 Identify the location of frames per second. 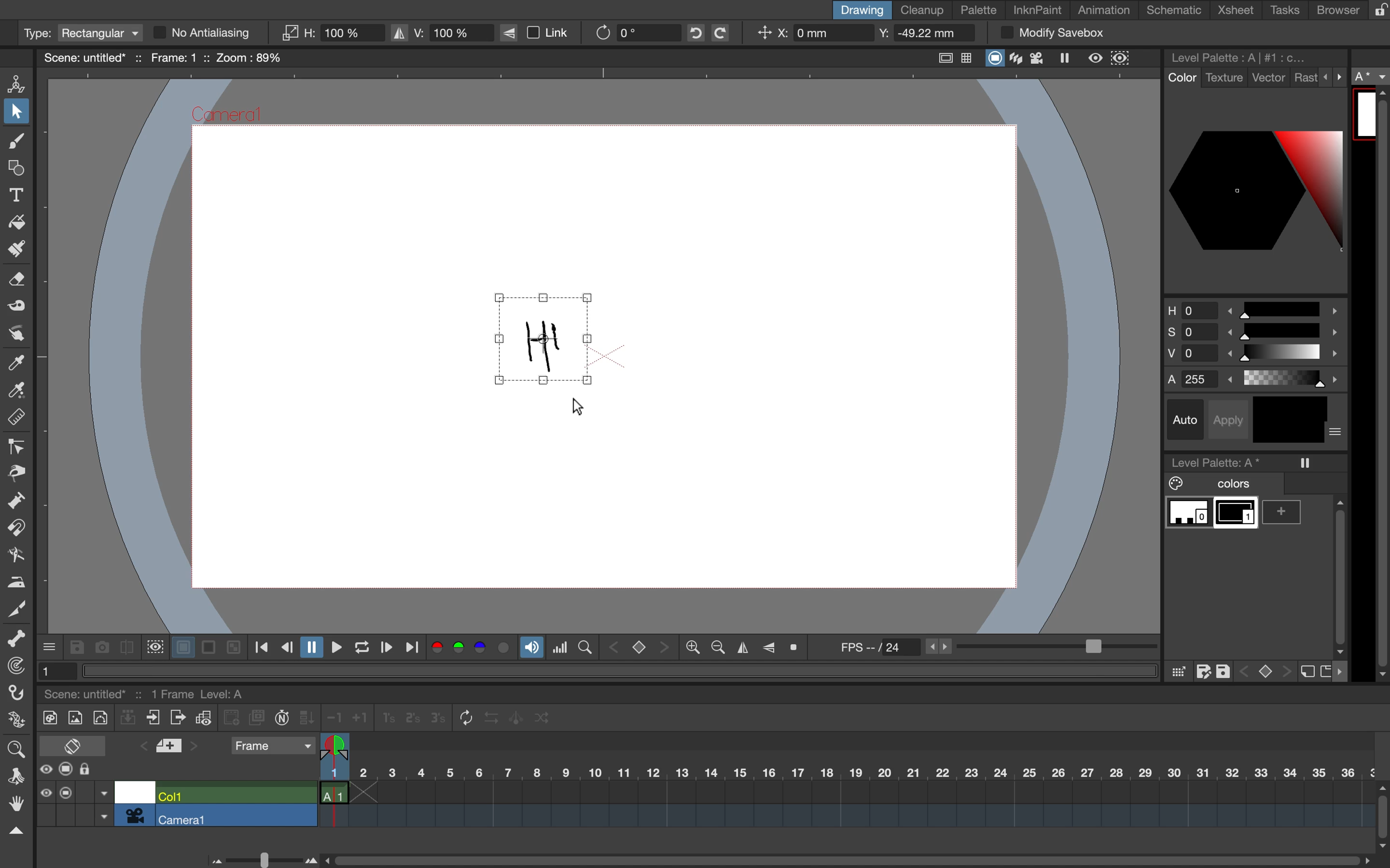
(991, 648).